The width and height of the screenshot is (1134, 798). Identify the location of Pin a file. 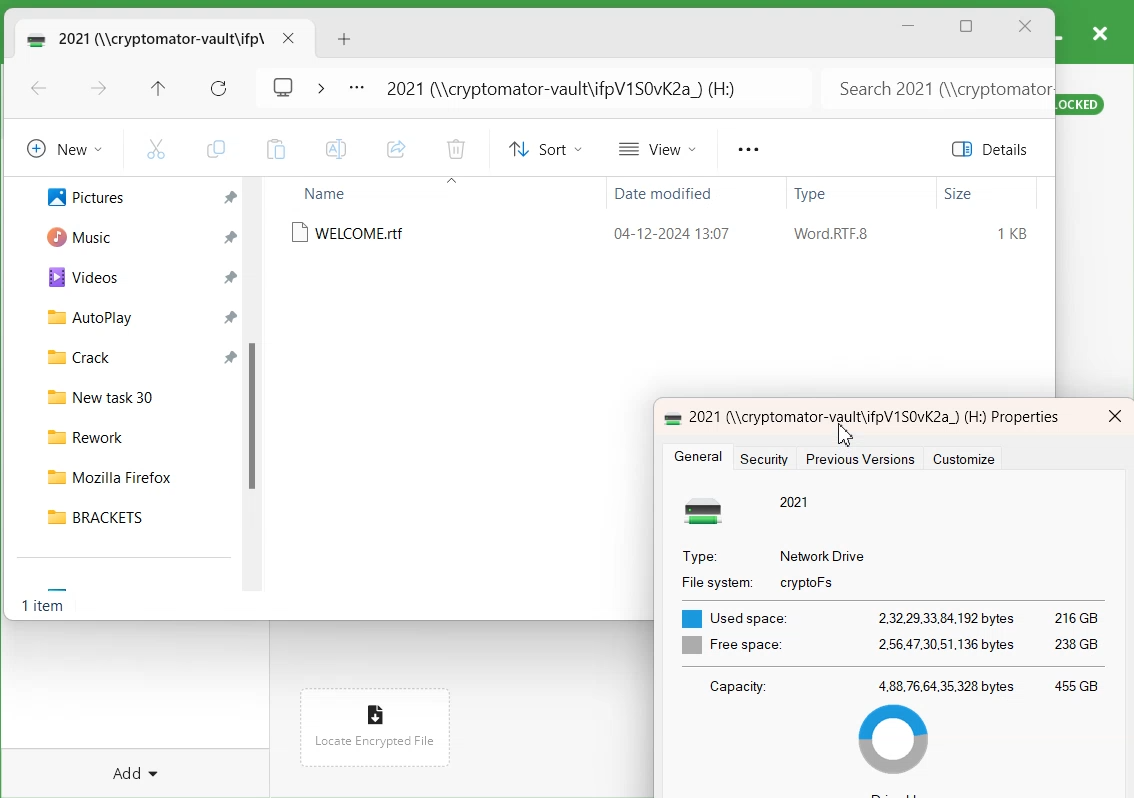
(231, 198).